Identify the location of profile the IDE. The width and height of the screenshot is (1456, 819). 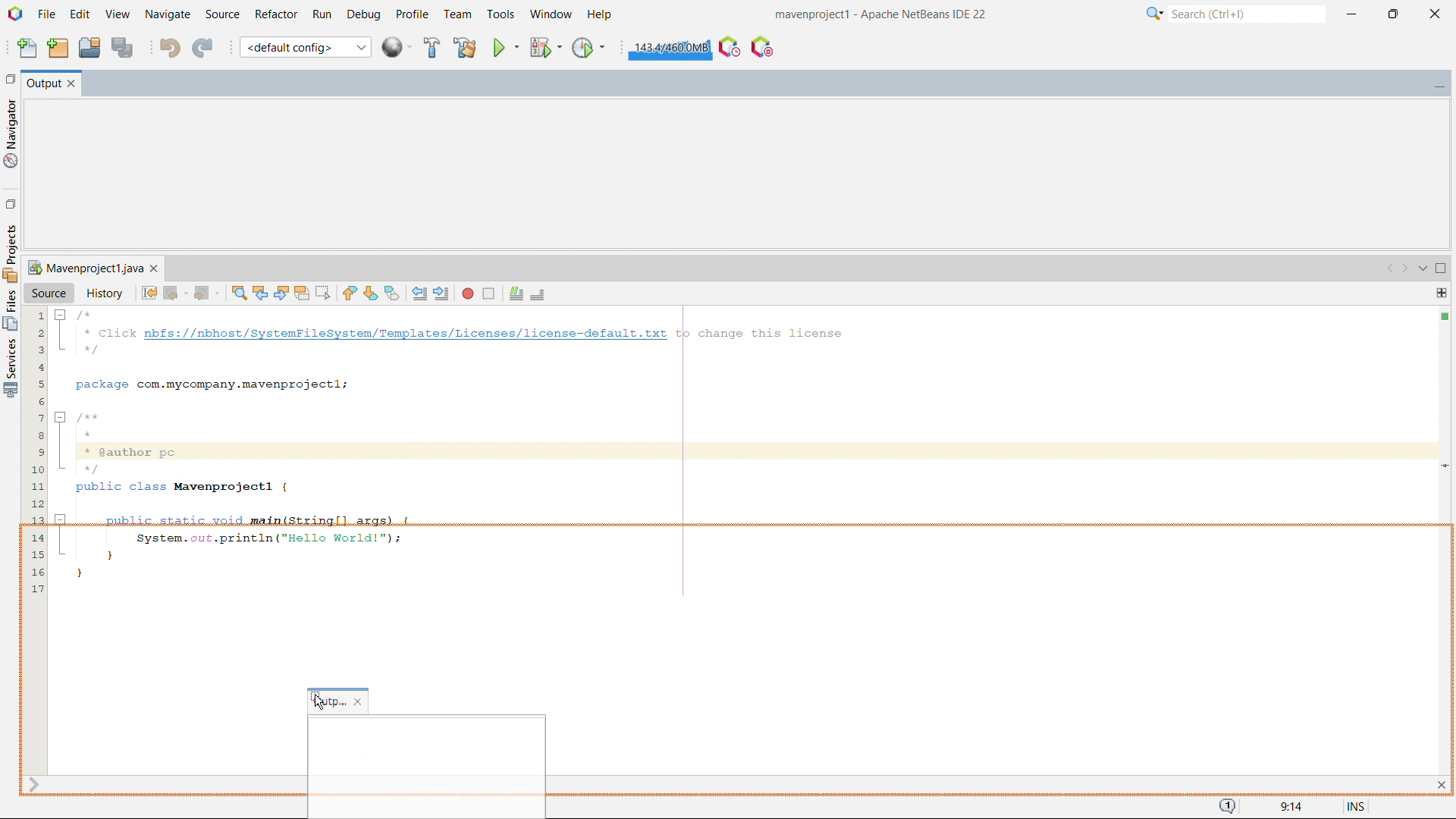
(730, 46).